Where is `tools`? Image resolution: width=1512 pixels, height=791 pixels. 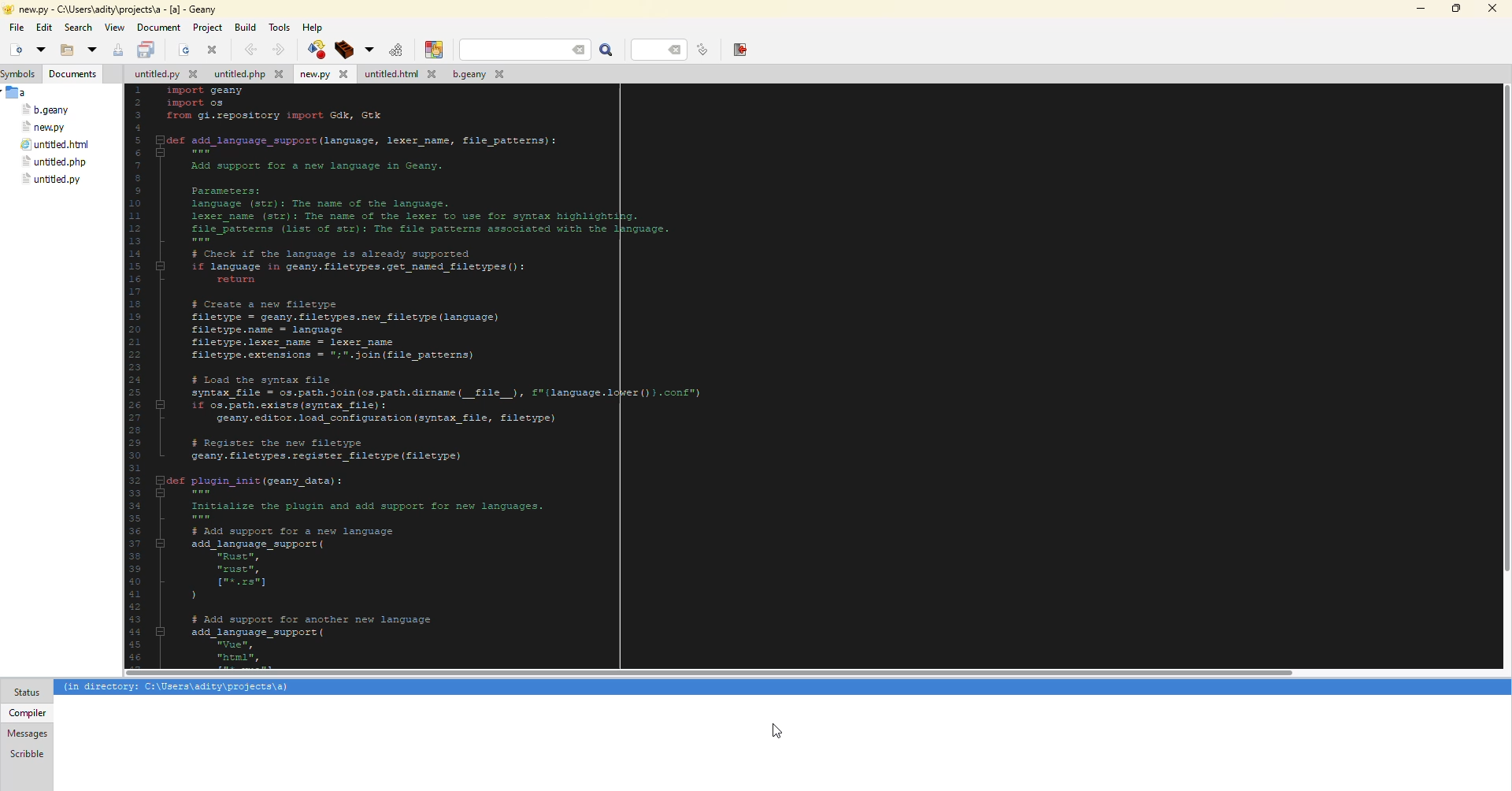 tools is located at coordinates (280, 28).